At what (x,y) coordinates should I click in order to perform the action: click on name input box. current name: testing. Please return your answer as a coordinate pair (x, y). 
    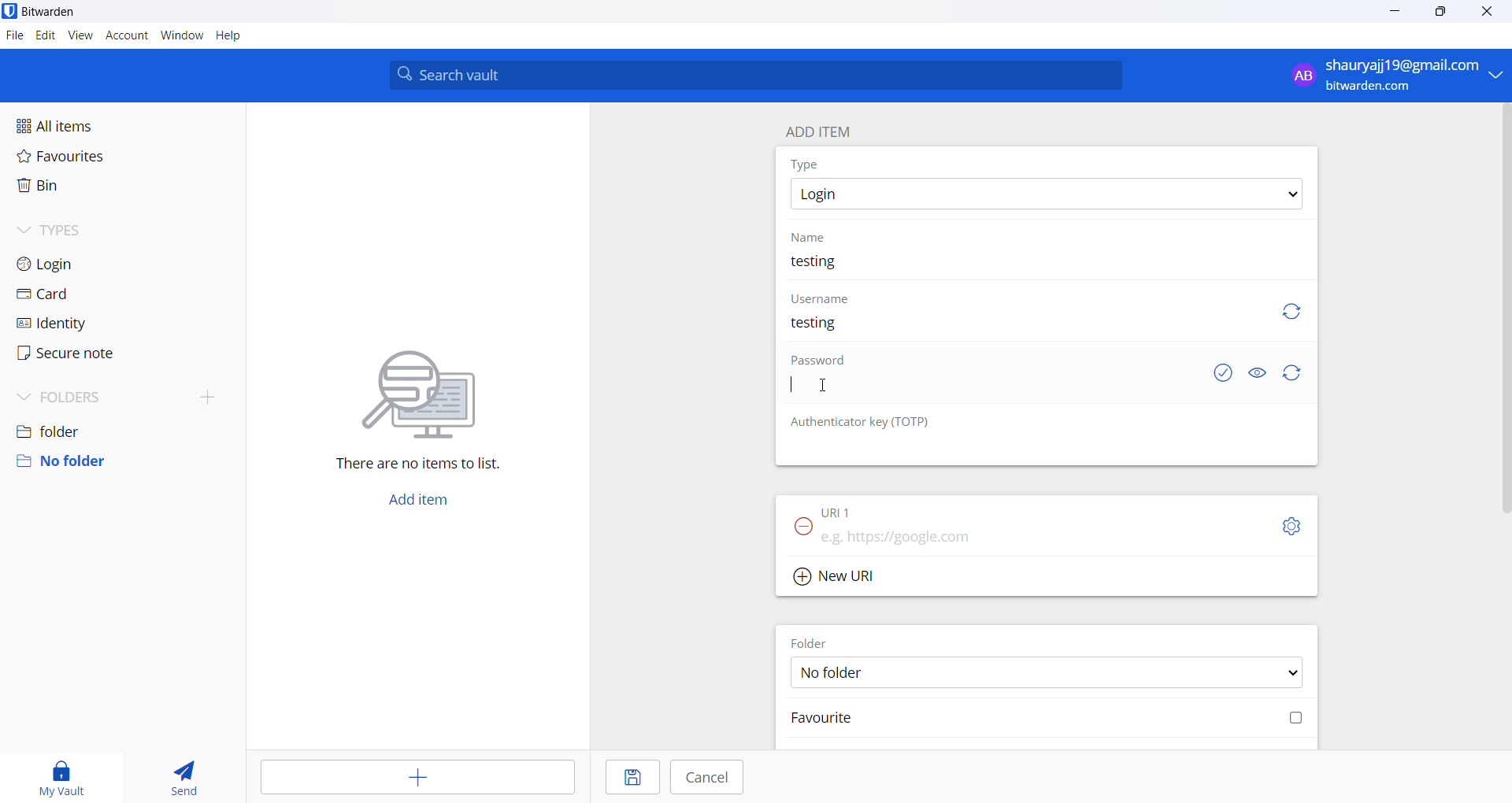
    Looking at the image, I should click on (1048, 269).